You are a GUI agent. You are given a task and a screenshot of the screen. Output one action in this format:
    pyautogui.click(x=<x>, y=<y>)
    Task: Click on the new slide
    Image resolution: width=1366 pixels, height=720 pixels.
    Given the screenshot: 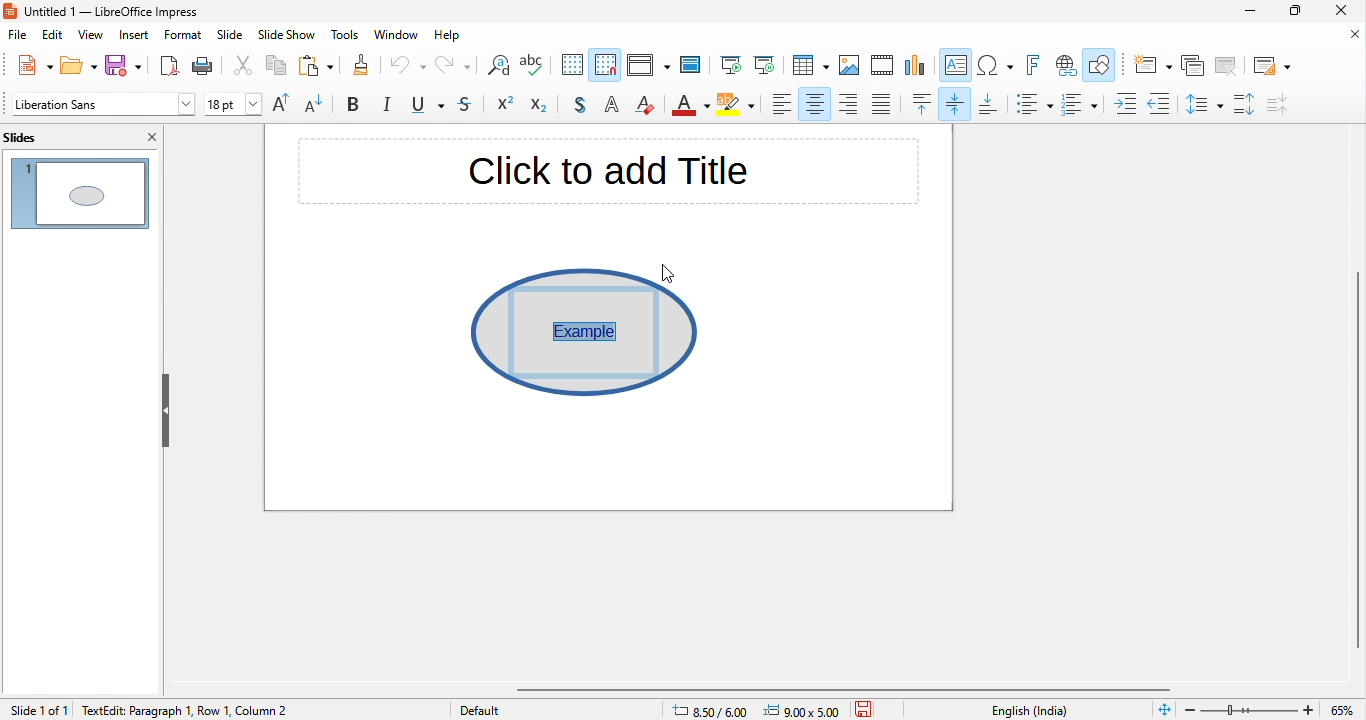 What is the action you would take?
    pyautogui.click(x=1150, y=65)
    